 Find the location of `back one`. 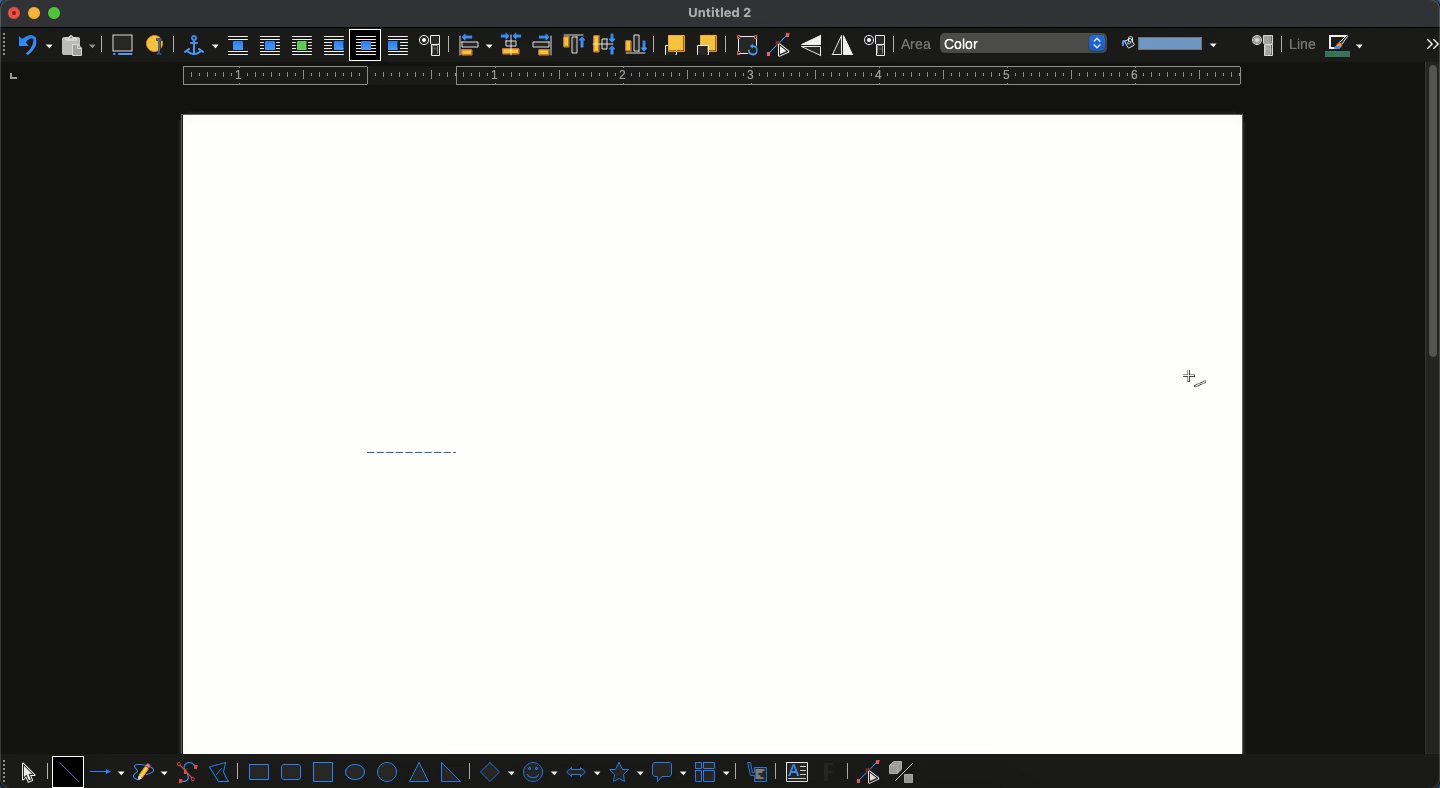

back one is located at coordinates (705, 44).